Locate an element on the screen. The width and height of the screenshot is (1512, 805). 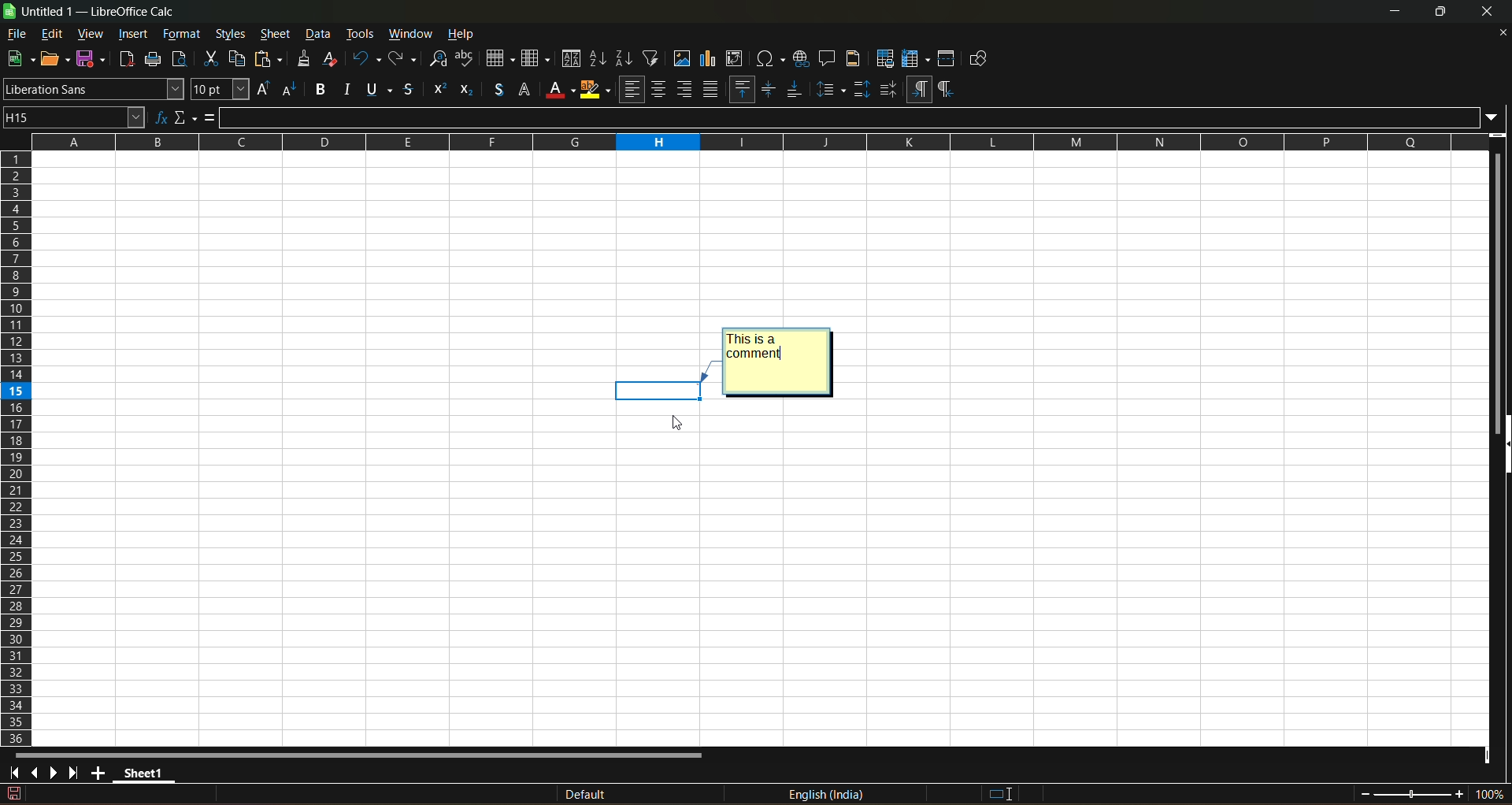
headers and footers is located at coordinates (854, 59).